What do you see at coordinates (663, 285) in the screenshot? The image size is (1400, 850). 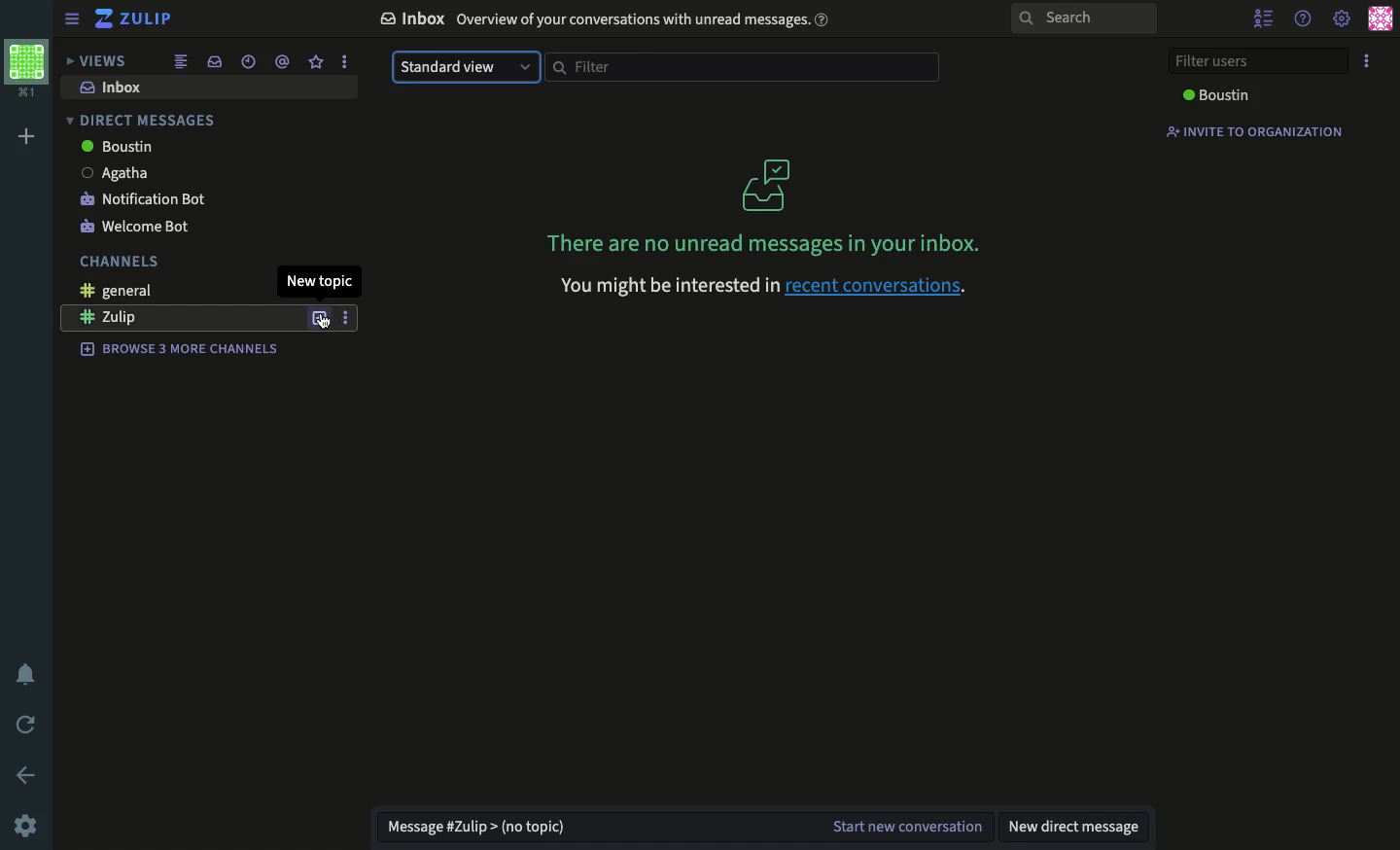 I see `you might be interested in` at bounding box center [663, 285].